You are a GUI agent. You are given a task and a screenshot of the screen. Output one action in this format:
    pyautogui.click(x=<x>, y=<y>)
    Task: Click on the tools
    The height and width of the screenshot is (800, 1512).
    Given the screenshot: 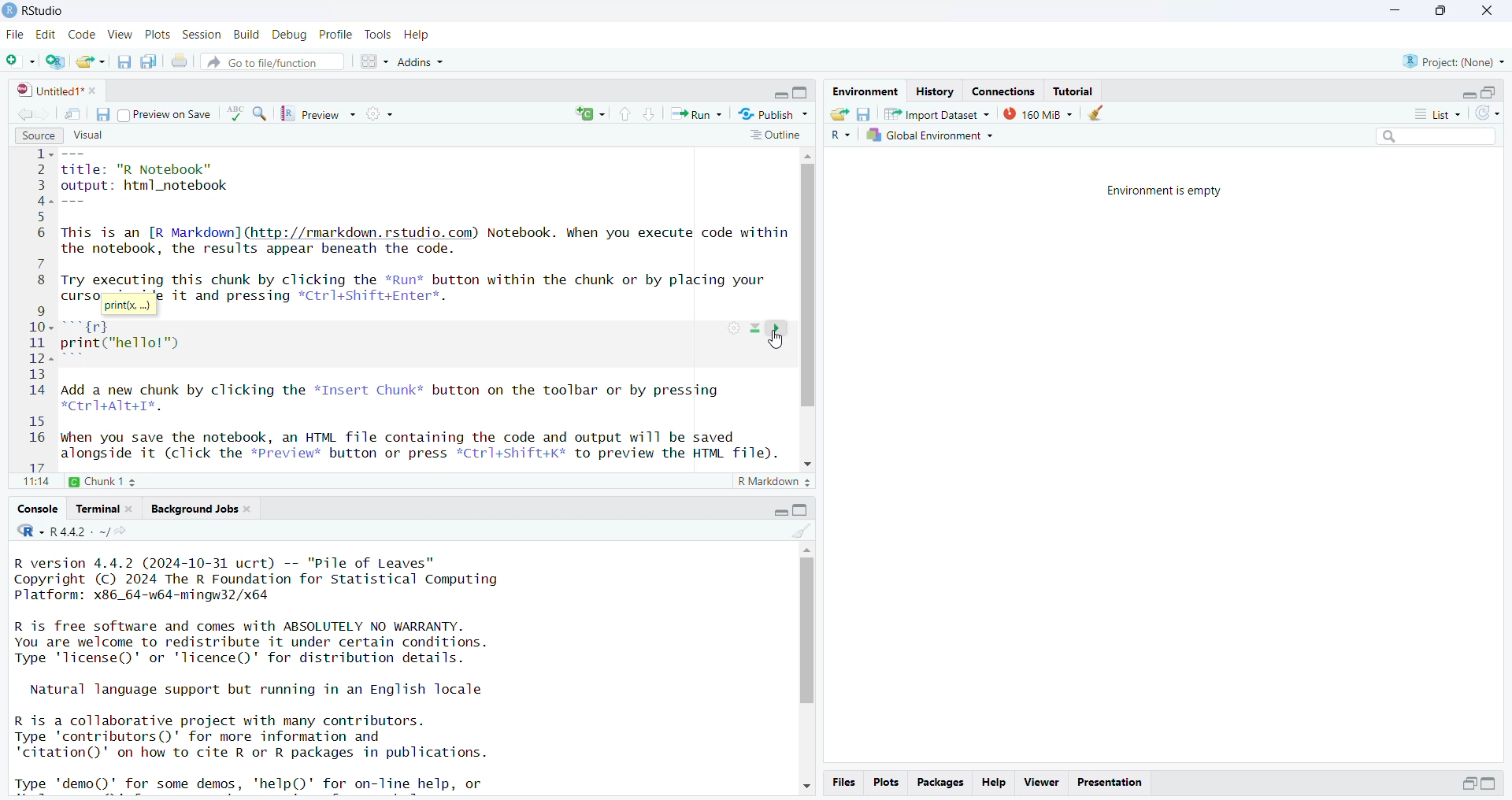 What is the action you would take?
    pyautogui.click(x=379, y=35)
    